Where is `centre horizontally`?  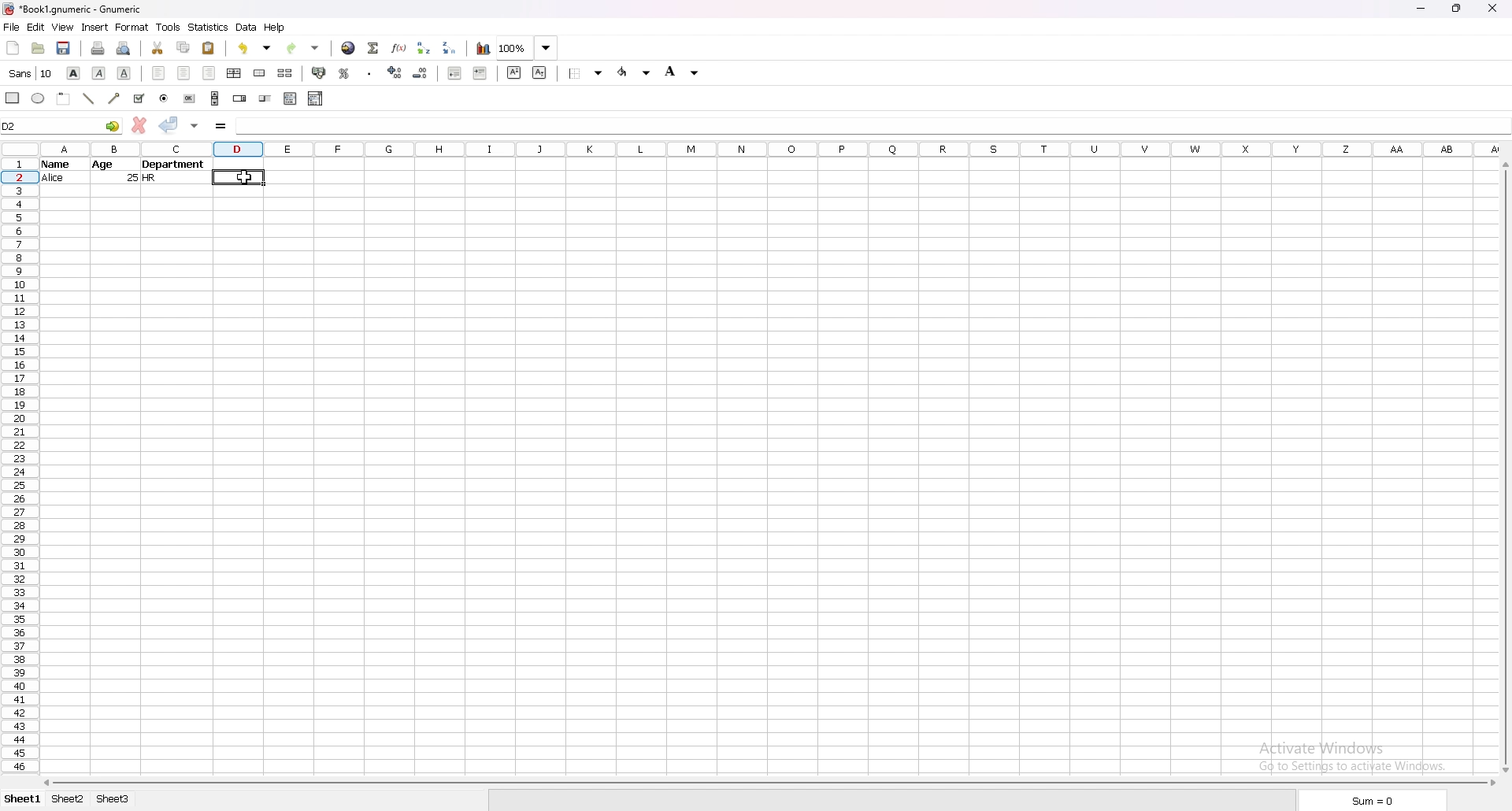
centre horizontally is located at coordinates (235, 73).